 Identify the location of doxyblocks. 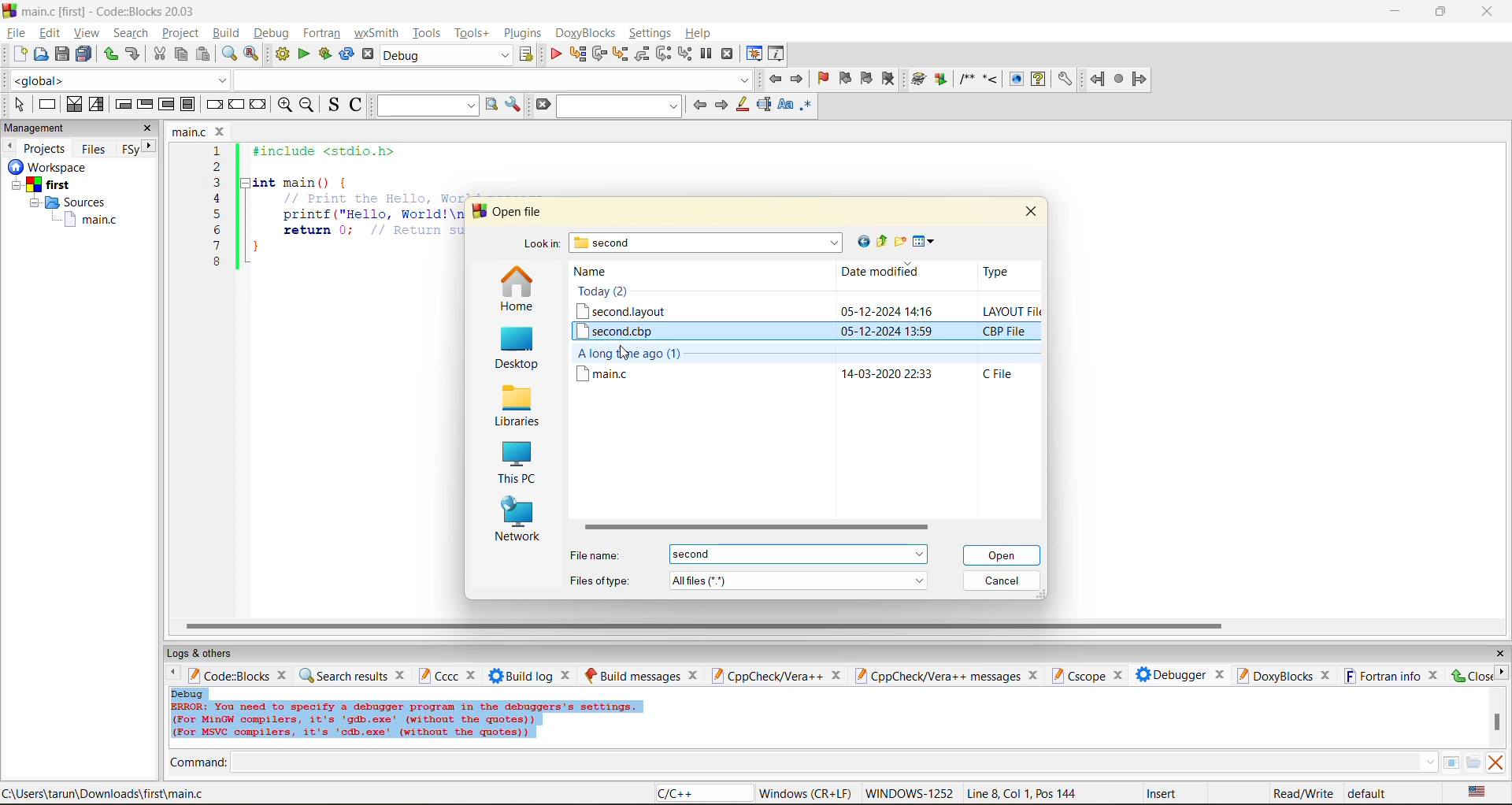
(588, 33).